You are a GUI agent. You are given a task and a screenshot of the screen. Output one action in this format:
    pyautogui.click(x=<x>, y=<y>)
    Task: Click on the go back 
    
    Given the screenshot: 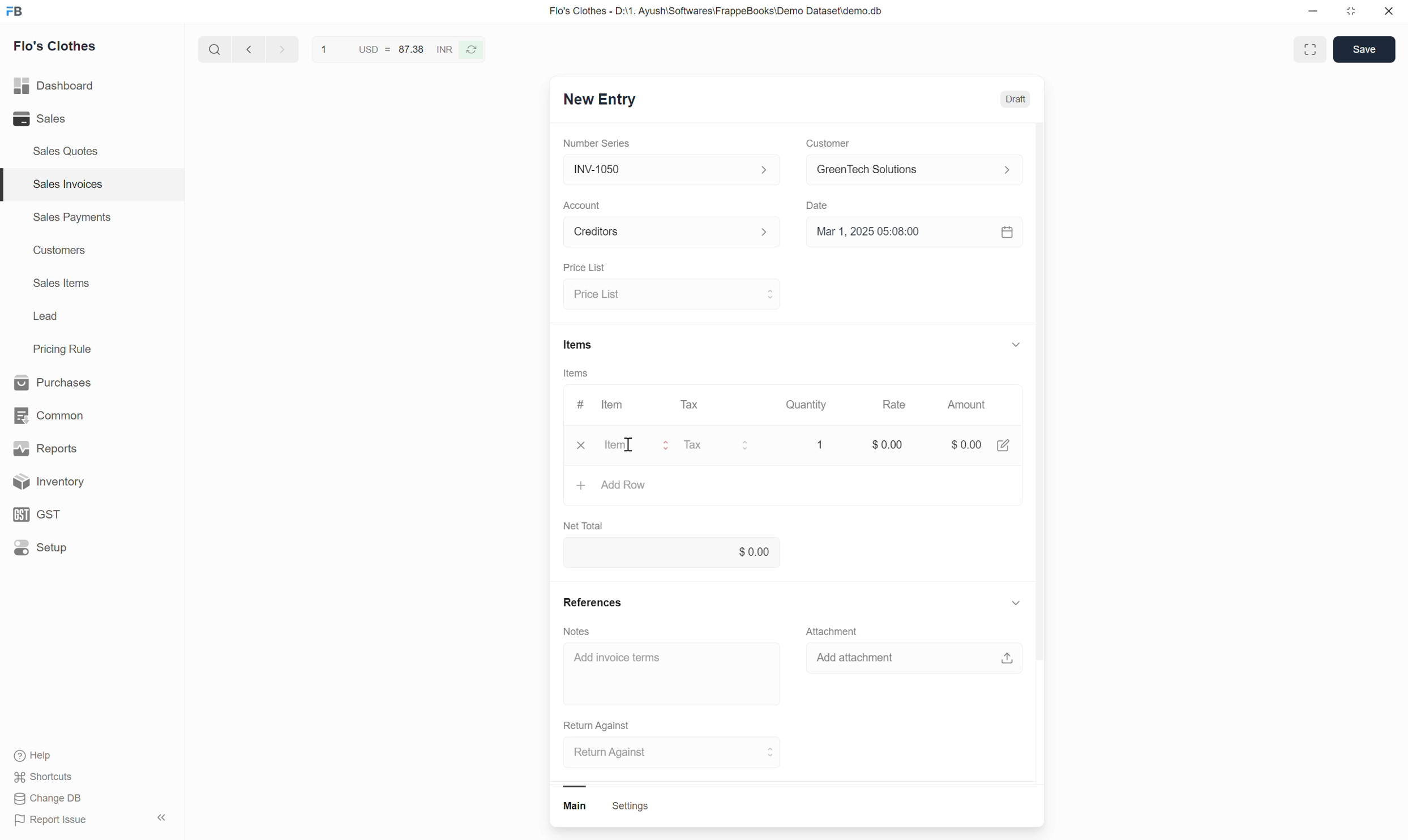 What is the action you would take?
    pyautogui.click(x=248, y=52)
    